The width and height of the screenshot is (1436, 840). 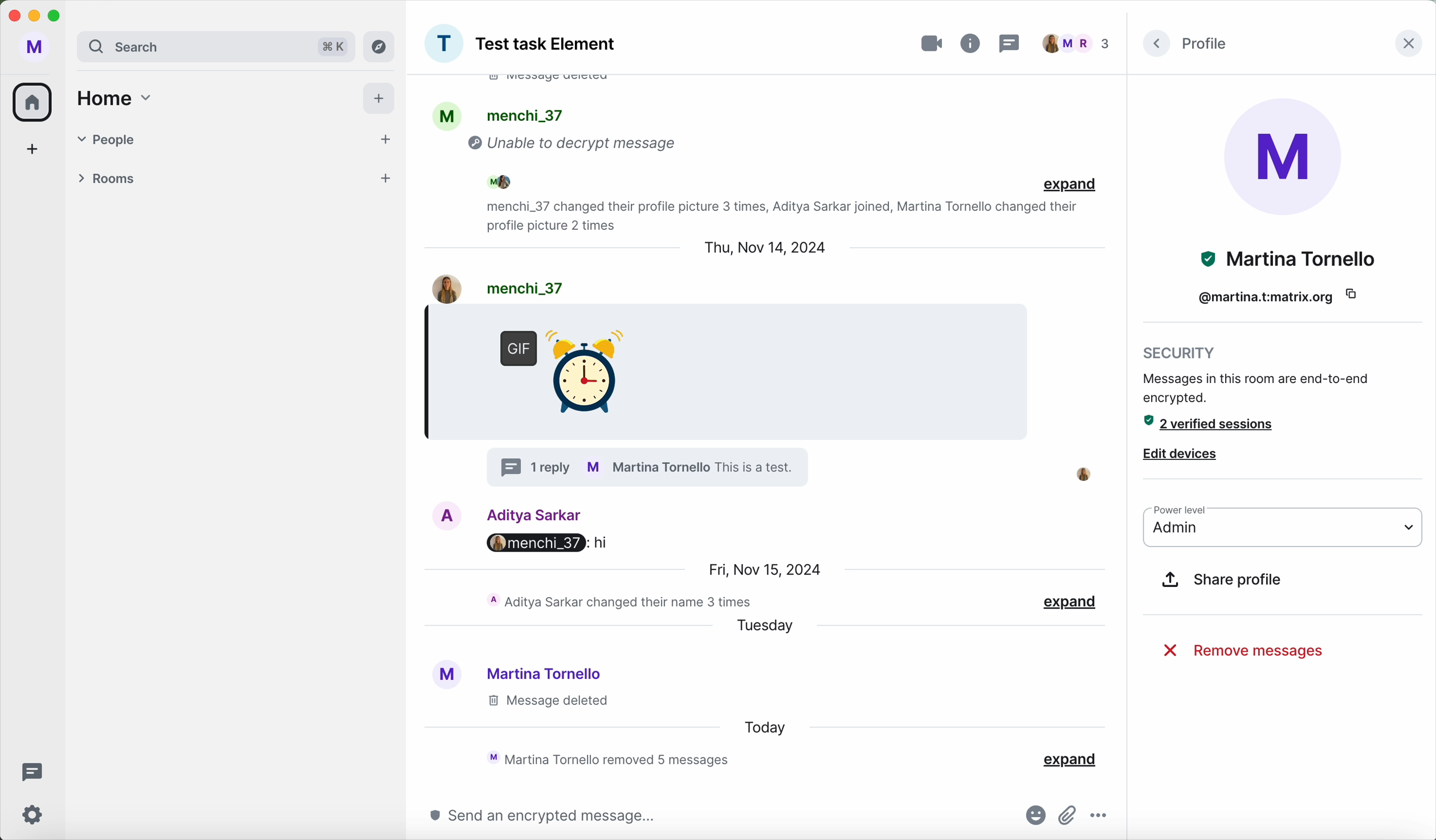 What do you see at coordinates (1086, 472) in the screenshot?
I see `profile picture` at bounding box center [1086, 472].